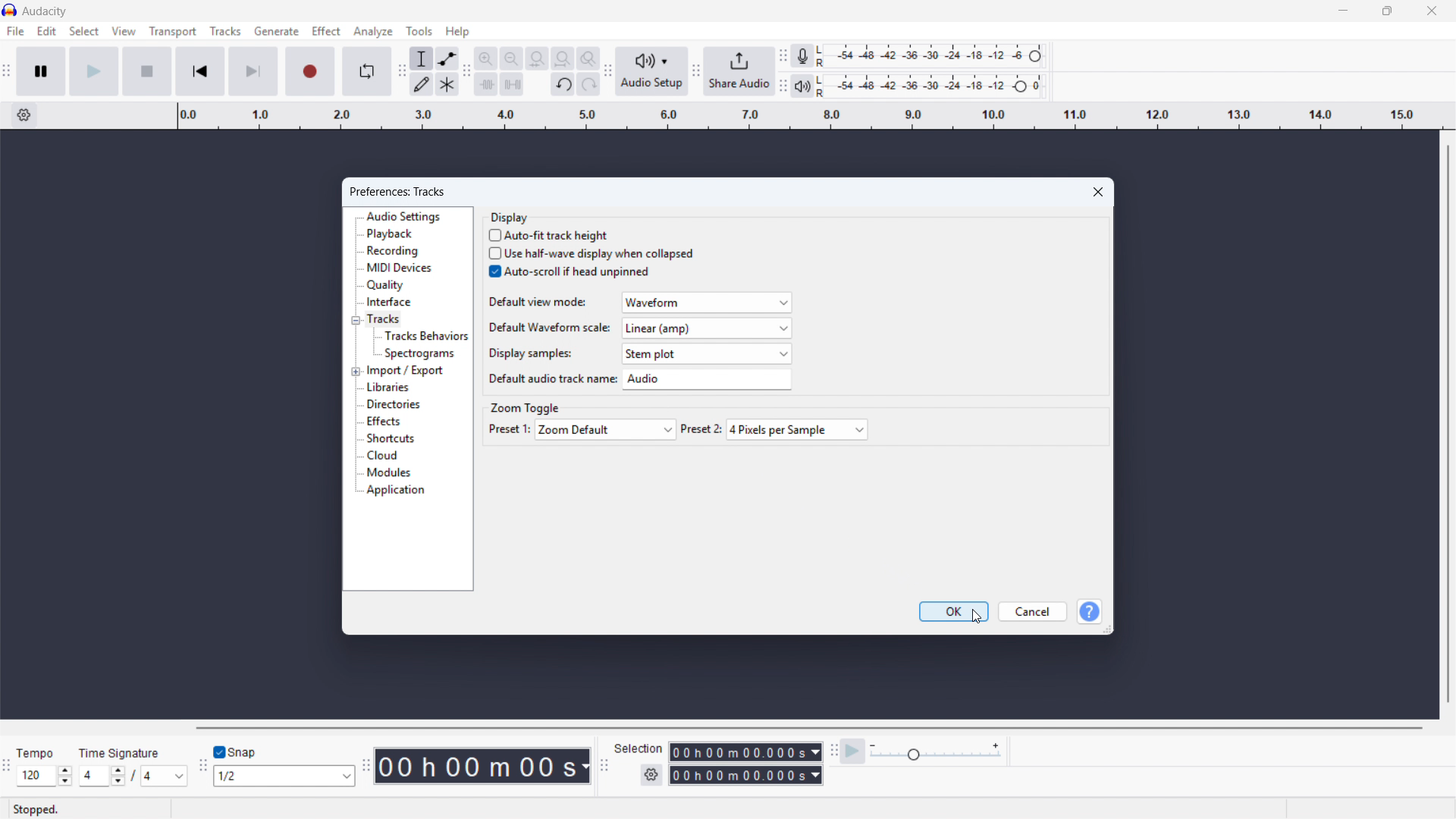 The width and height of the screenshot is (1456, 819). Describe the element at coordinates (398, 192) in the screenshot. I see `preferences: tracks` at that location.